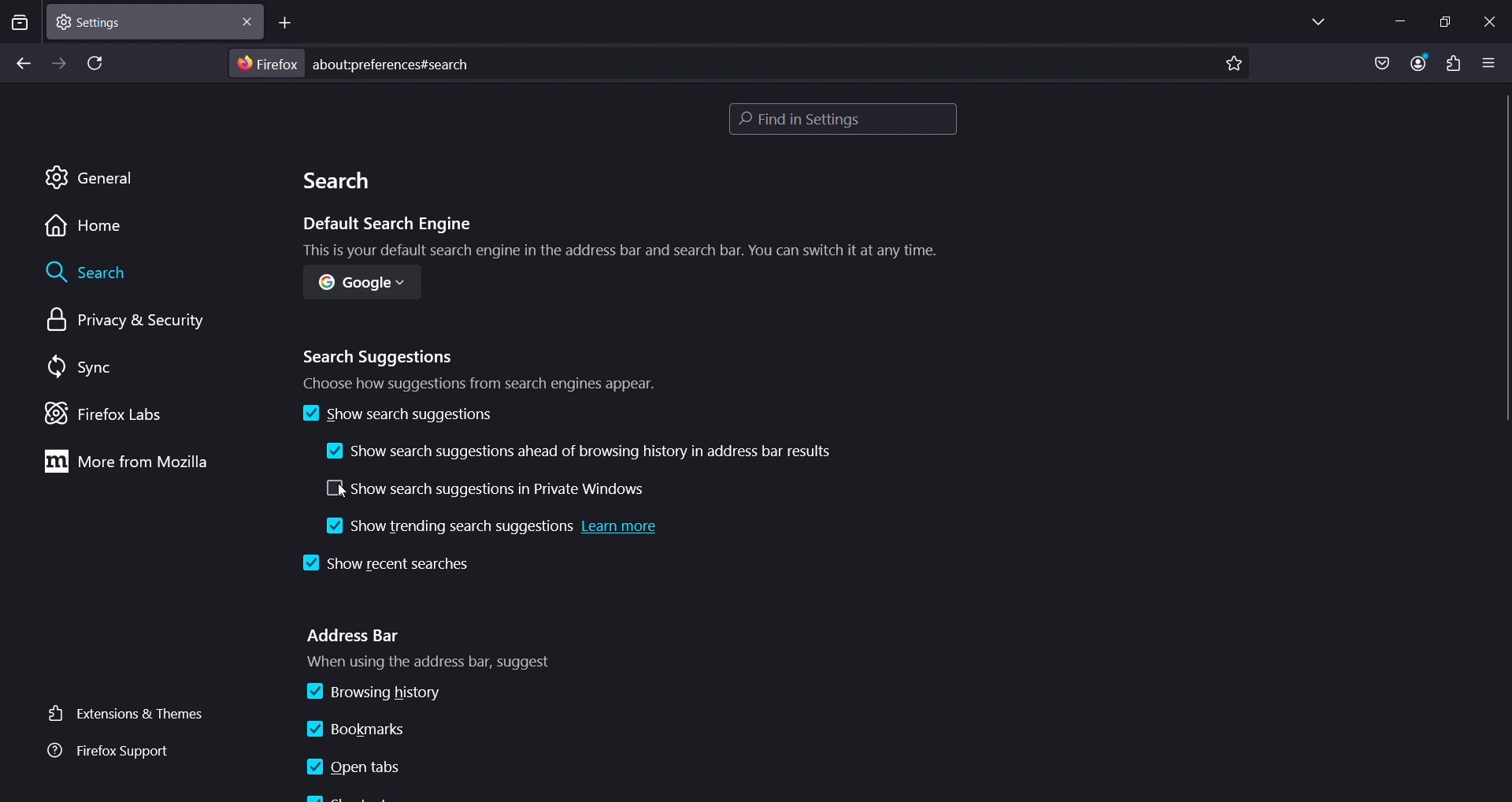 This screenshot has width=1512, height=802. What do you see at coordinates (611, 240) in the screenshot?
I see `Default Search Engine
This is your default search engine in the address bar and search bar. You can switch it at any time.` at bounding box center [611, 240].